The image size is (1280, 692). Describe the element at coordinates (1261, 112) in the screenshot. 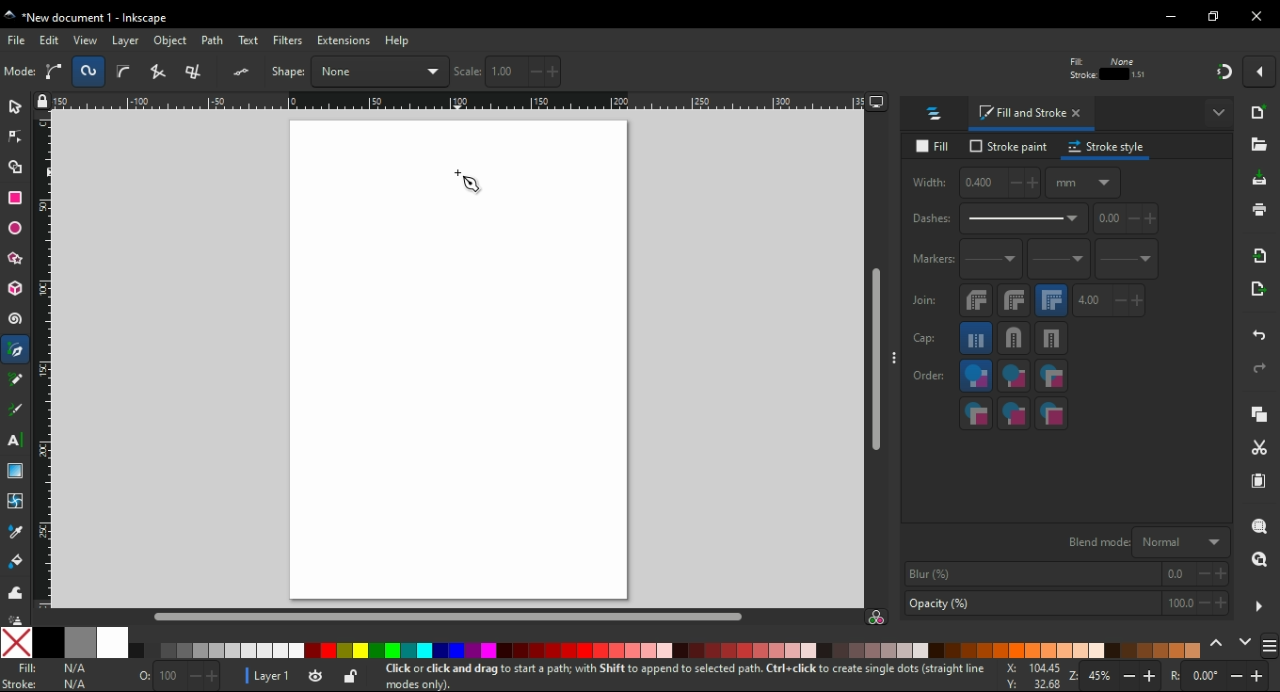

I see `new` at that location.